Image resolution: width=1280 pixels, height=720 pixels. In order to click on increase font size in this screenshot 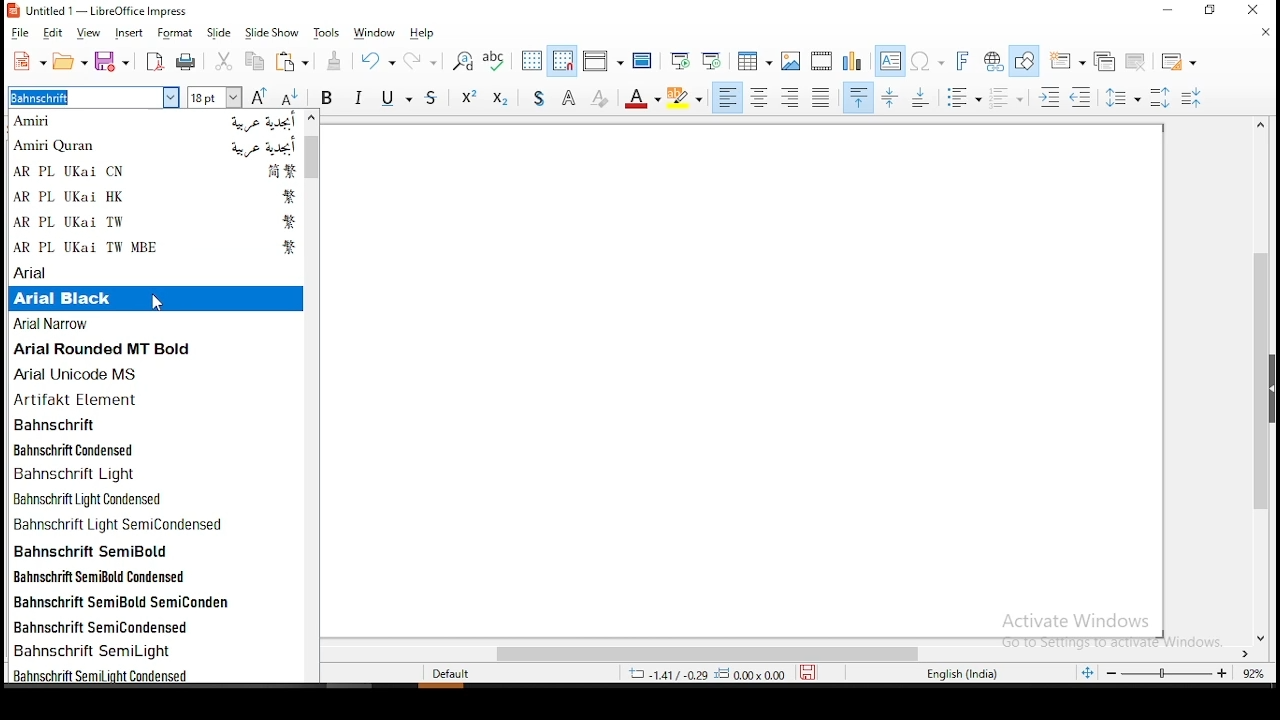, I will do `click(259, 96)`.